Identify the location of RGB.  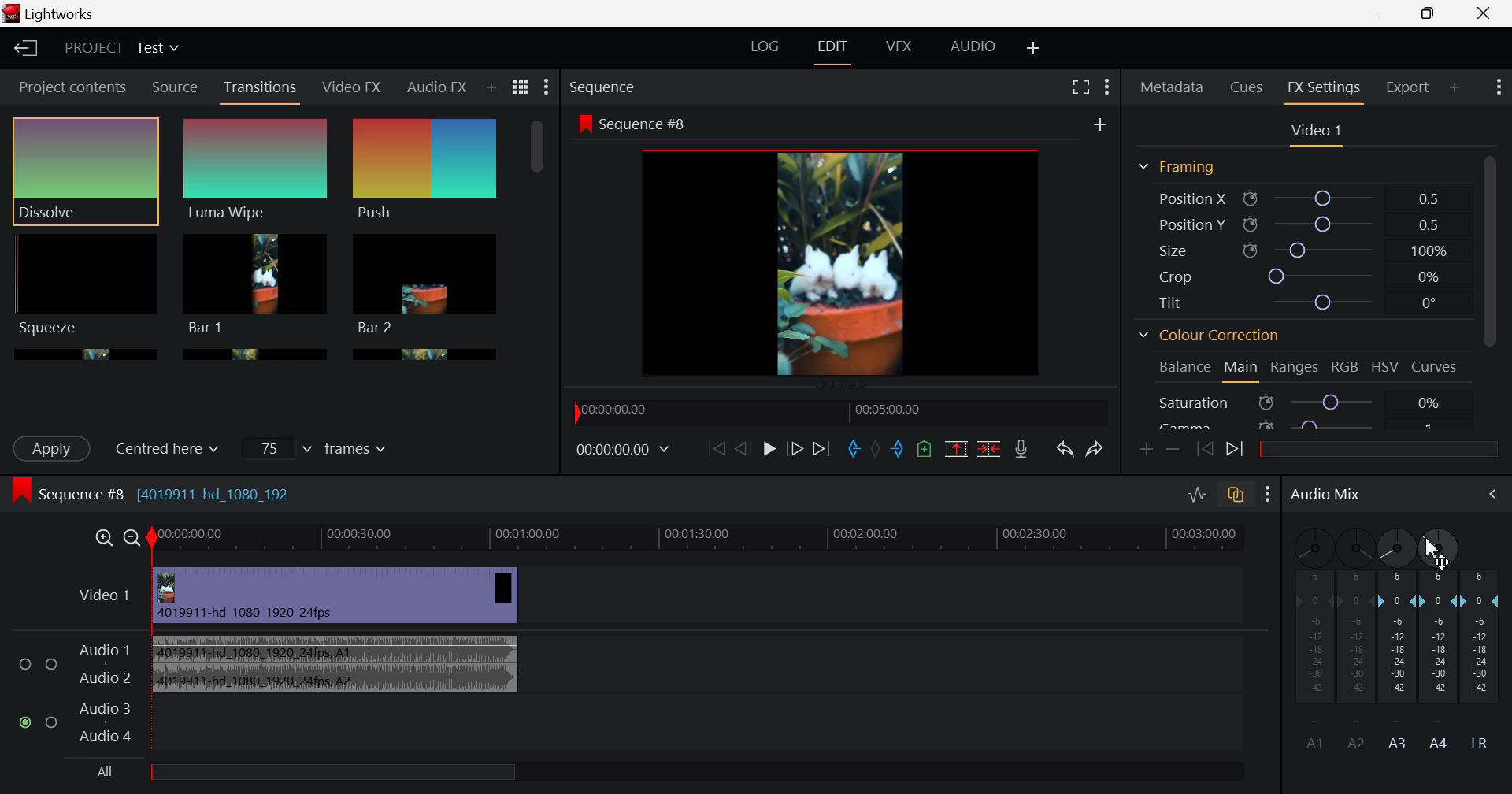
(1347, 367).